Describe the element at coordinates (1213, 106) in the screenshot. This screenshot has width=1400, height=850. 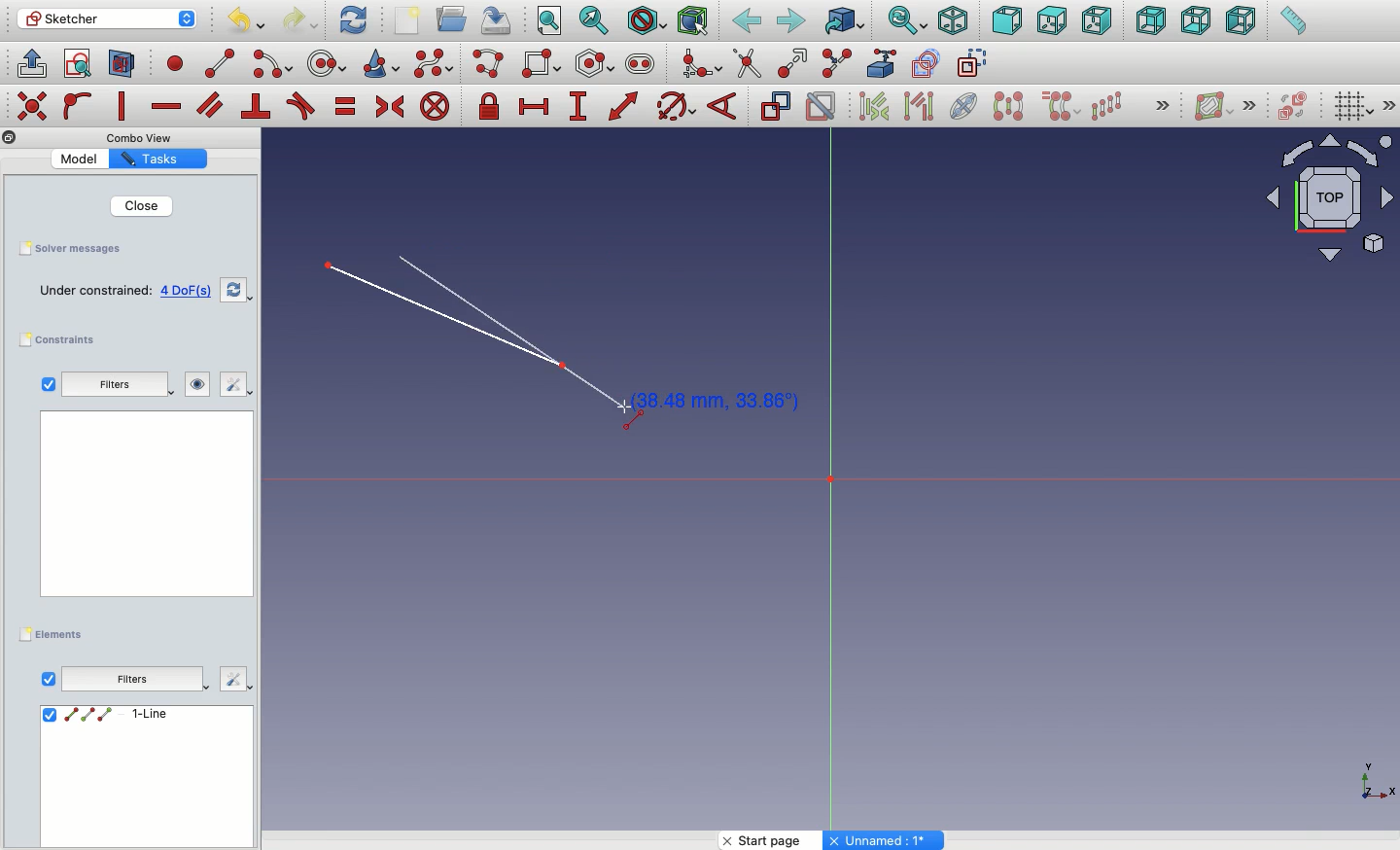
I see `Show/hide B-spline information layer` at that location.